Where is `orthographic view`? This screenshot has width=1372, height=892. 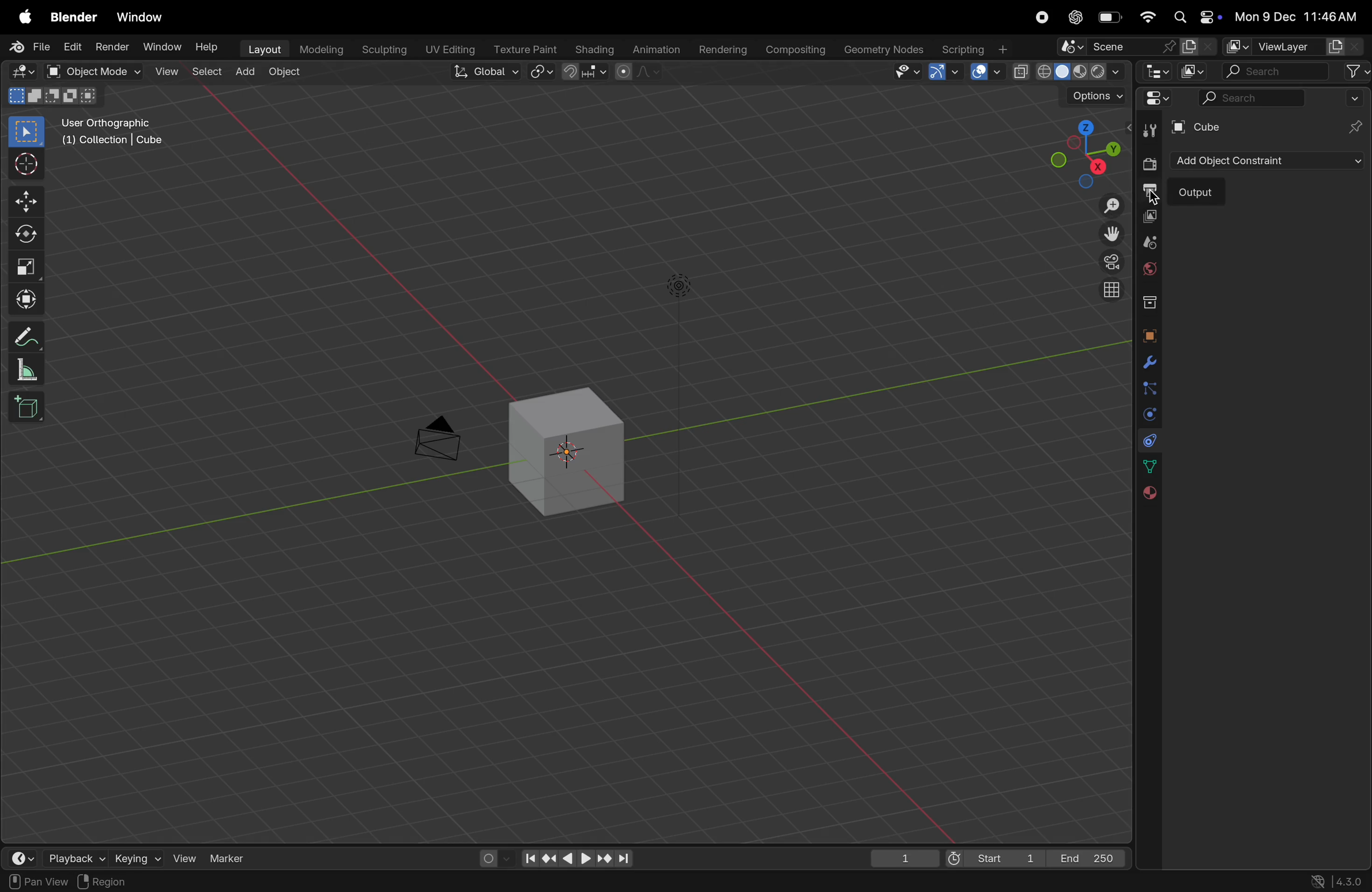 orthographic view is located at coordinates (1109, 291).